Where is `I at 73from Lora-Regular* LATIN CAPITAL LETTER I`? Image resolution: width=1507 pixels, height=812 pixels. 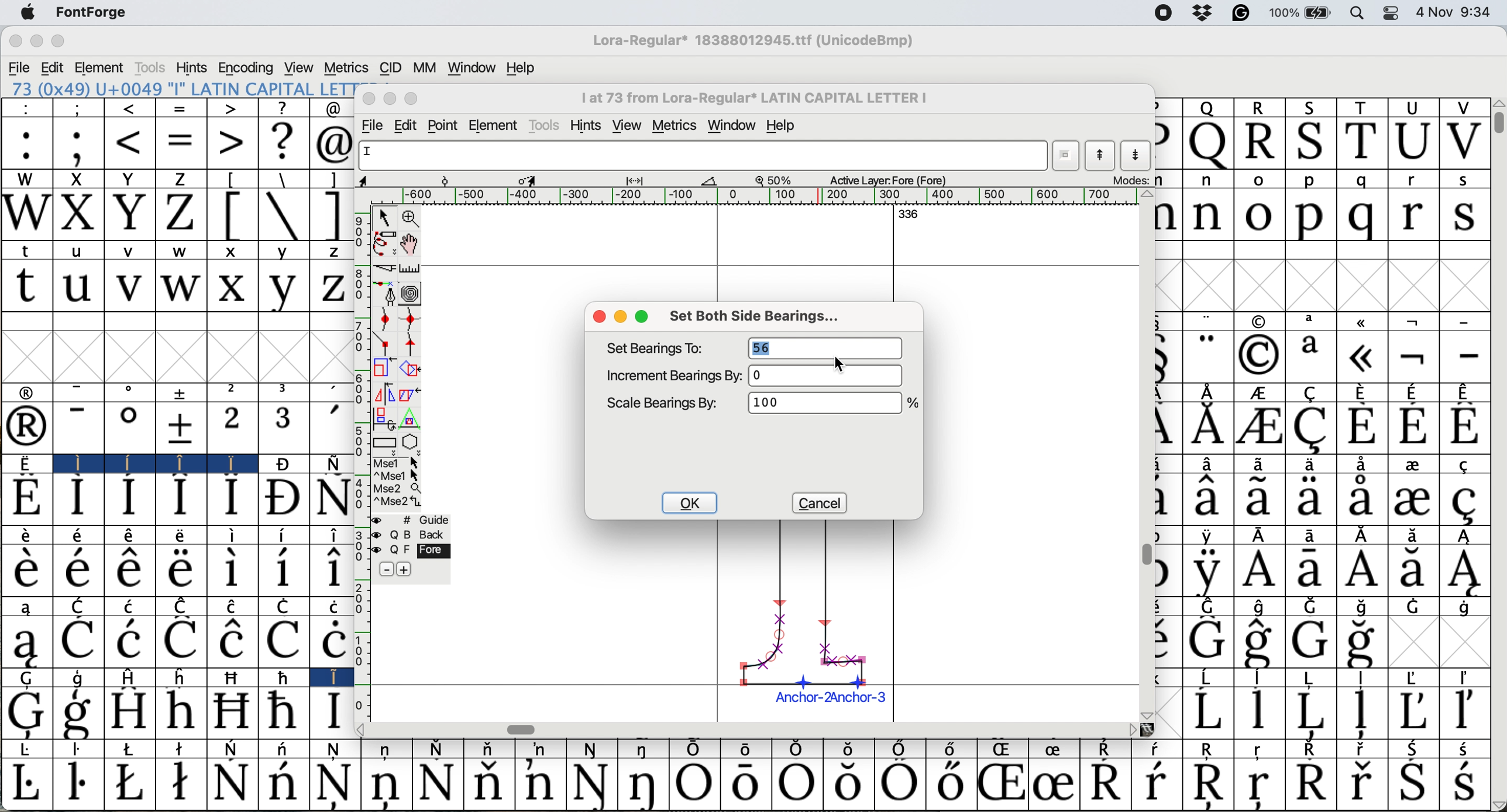
I at 73from Lora-Regular* LATIN CAPITAL LETTER I is located at coordinates (761, 101).